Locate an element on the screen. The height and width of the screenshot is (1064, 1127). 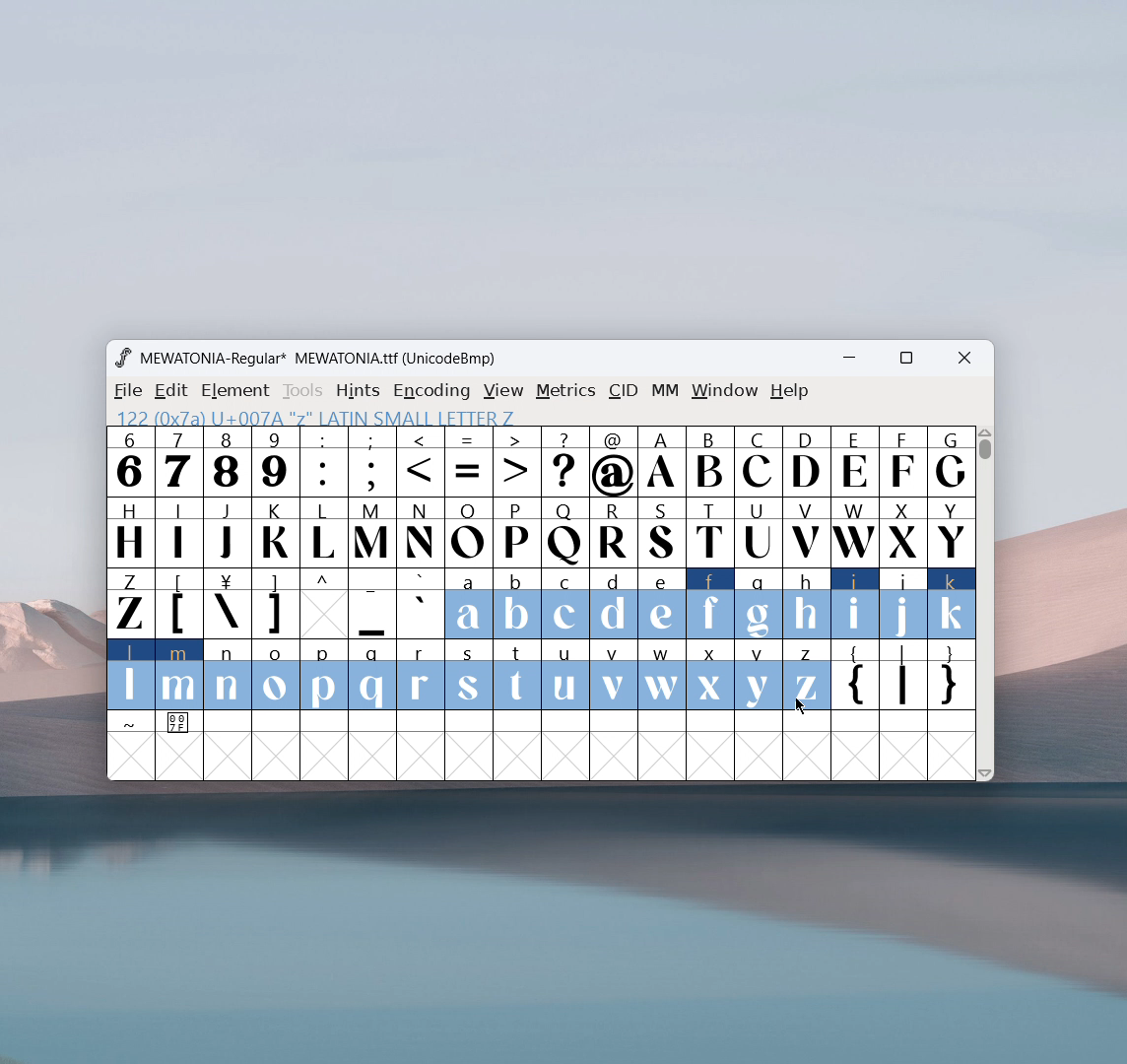
@ is located at coordinates (615, 462).